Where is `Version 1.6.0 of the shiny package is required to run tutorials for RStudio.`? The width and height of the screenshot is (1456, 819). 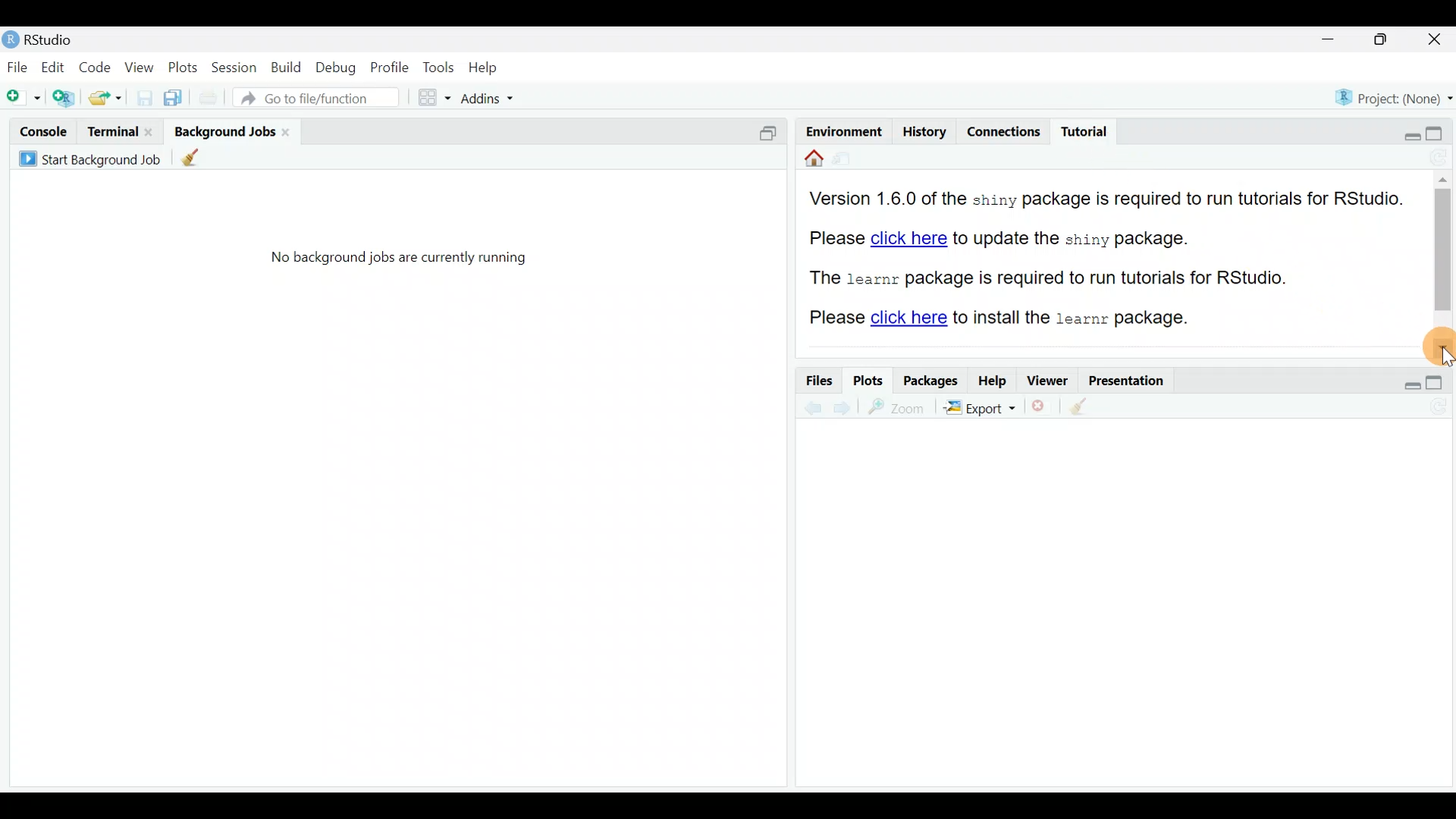 Version 1.6.0 of the shiny package is required to run tutorials for RStudio. is located at coordinates (1110, 197).